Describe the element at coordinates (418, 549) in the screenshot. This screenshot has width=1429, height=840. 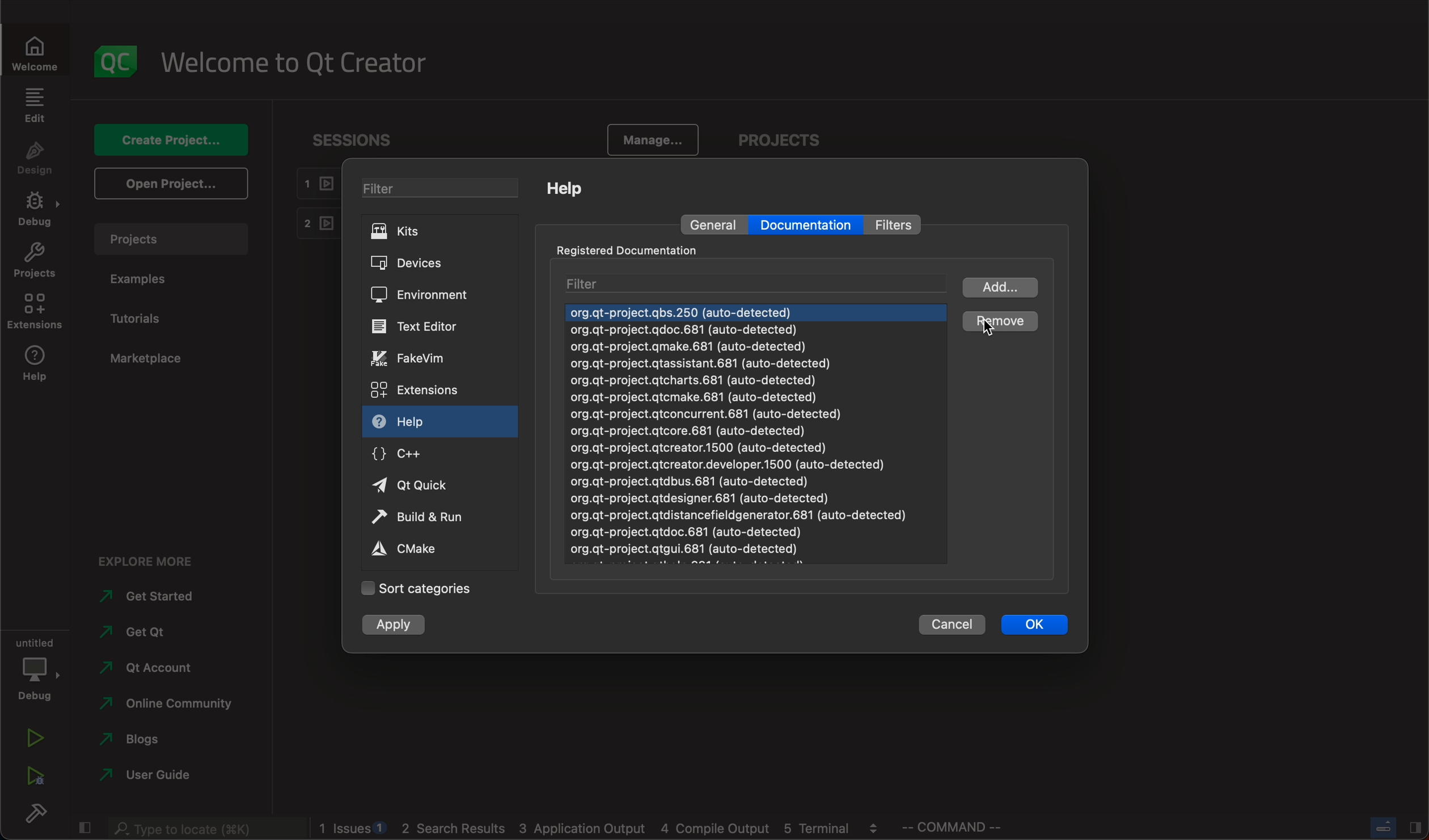
I see `cmake` at that location.